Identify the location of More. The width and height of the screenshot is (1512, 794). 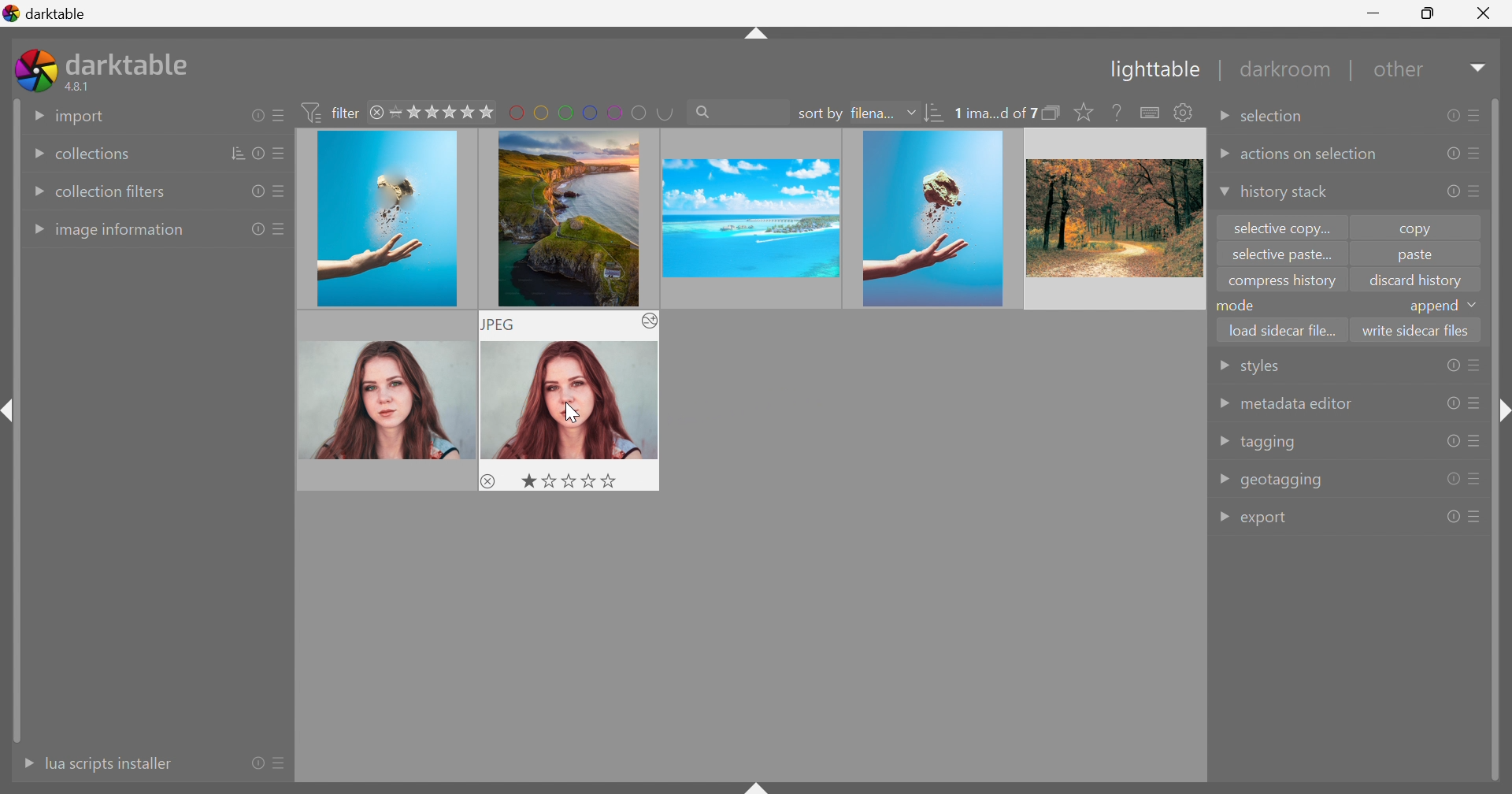
(23, 763).